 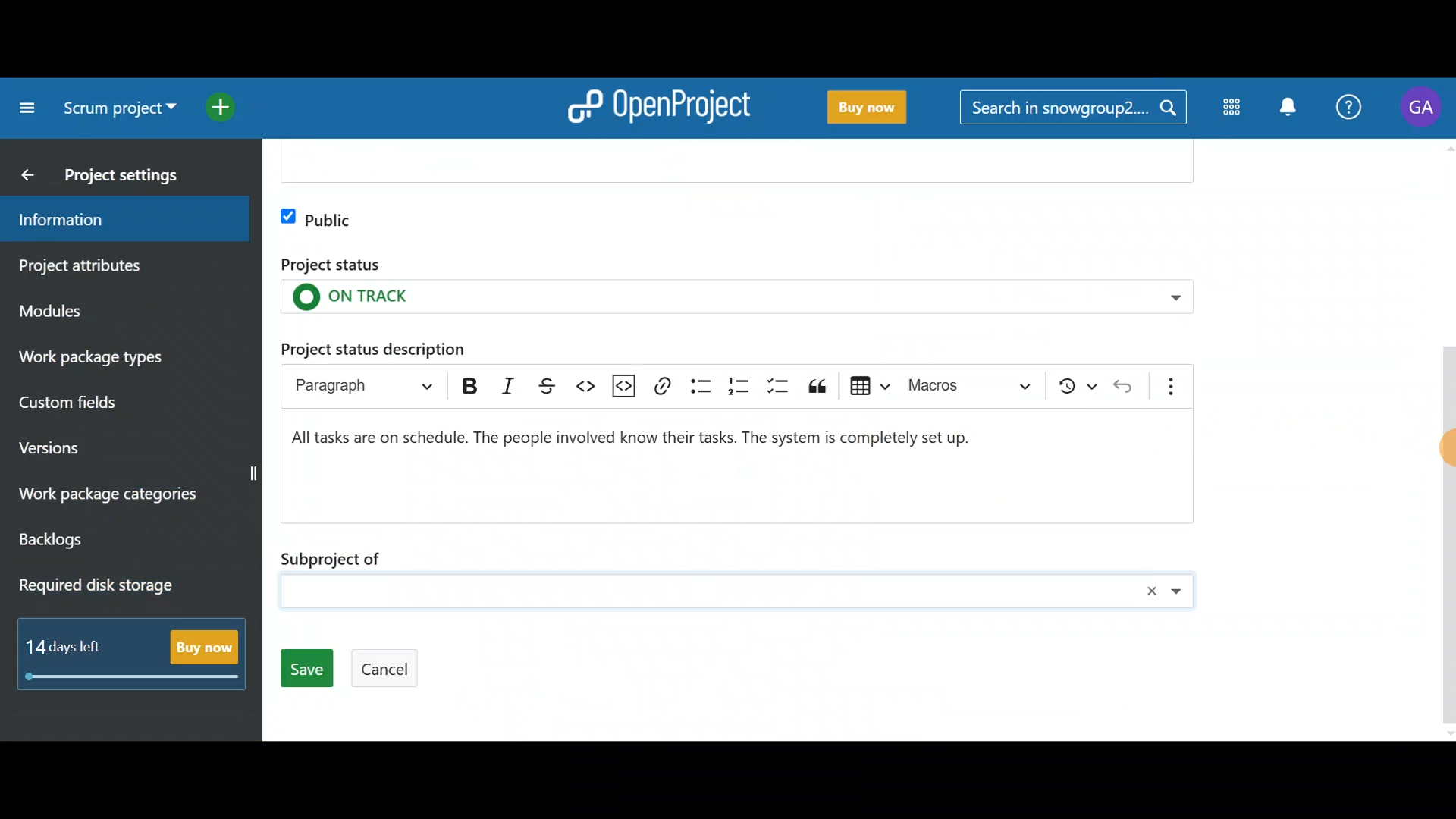 I want to click on Insert code snippet, so click(x=620, y=386).